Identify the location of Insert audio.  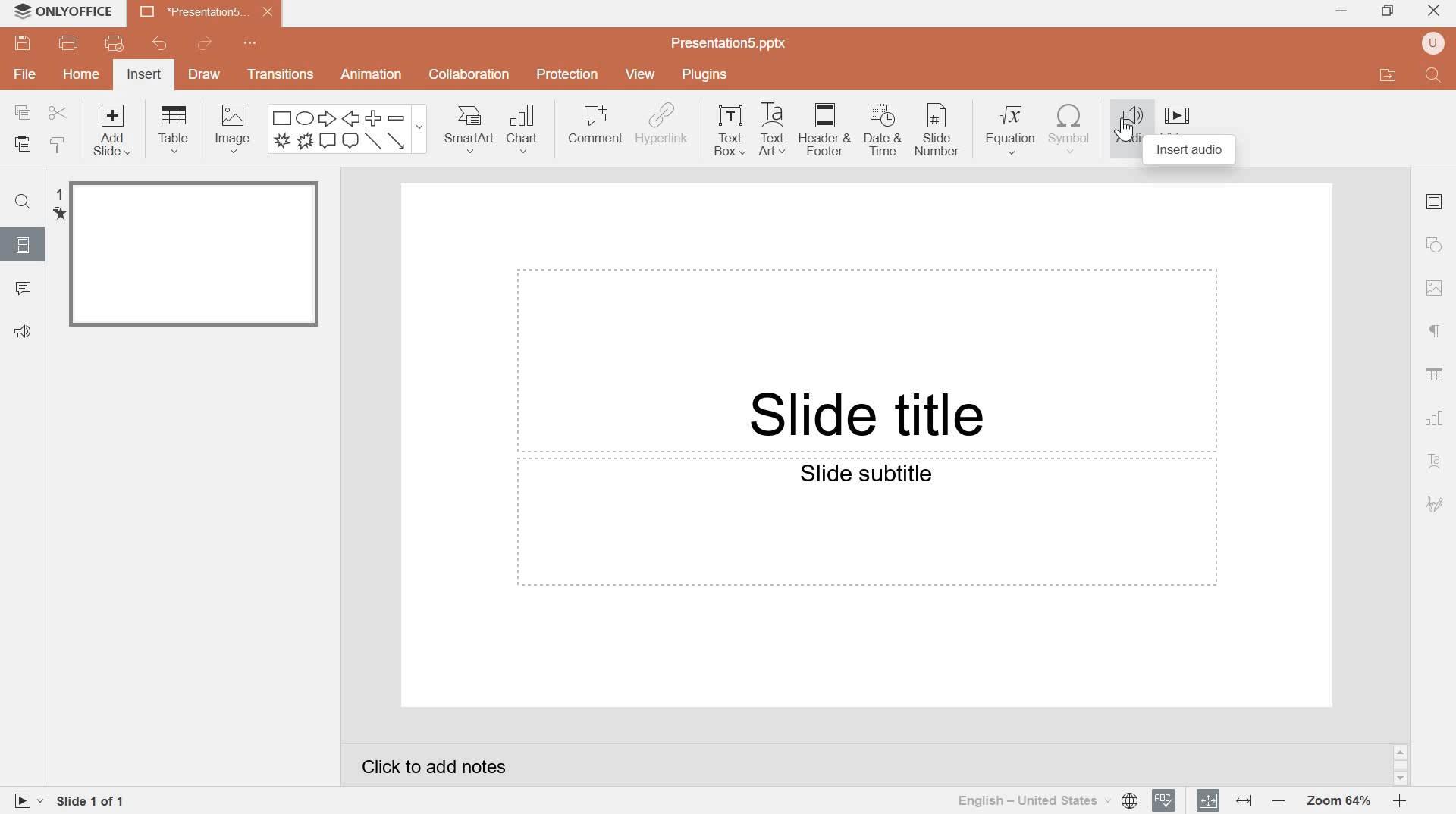
(1190, 151).